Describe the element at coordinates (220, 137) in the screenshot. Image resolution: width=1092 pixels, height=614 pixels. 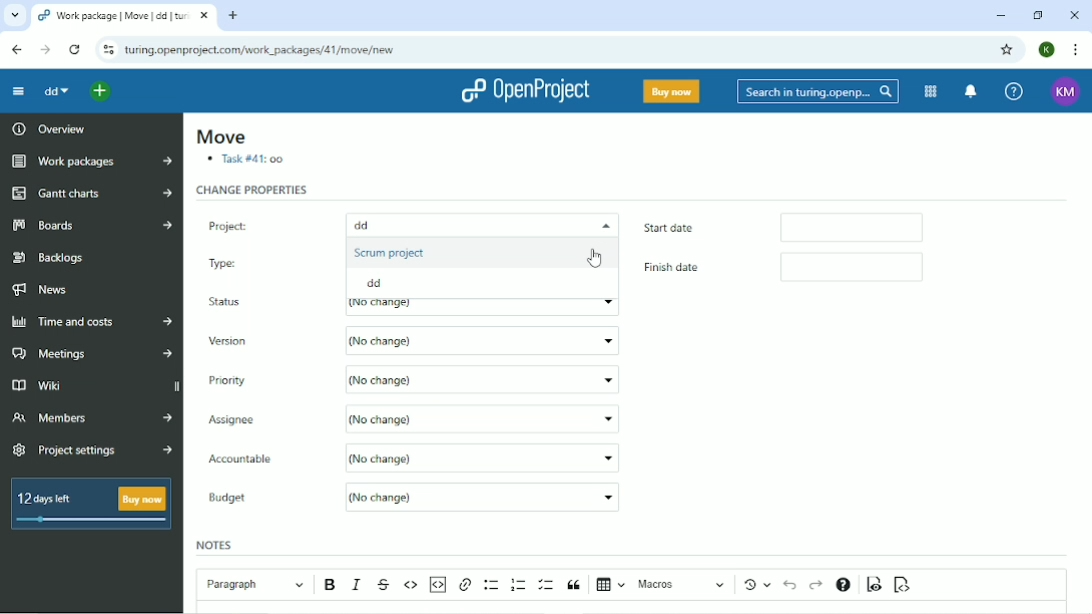
I see `Move` at that location.